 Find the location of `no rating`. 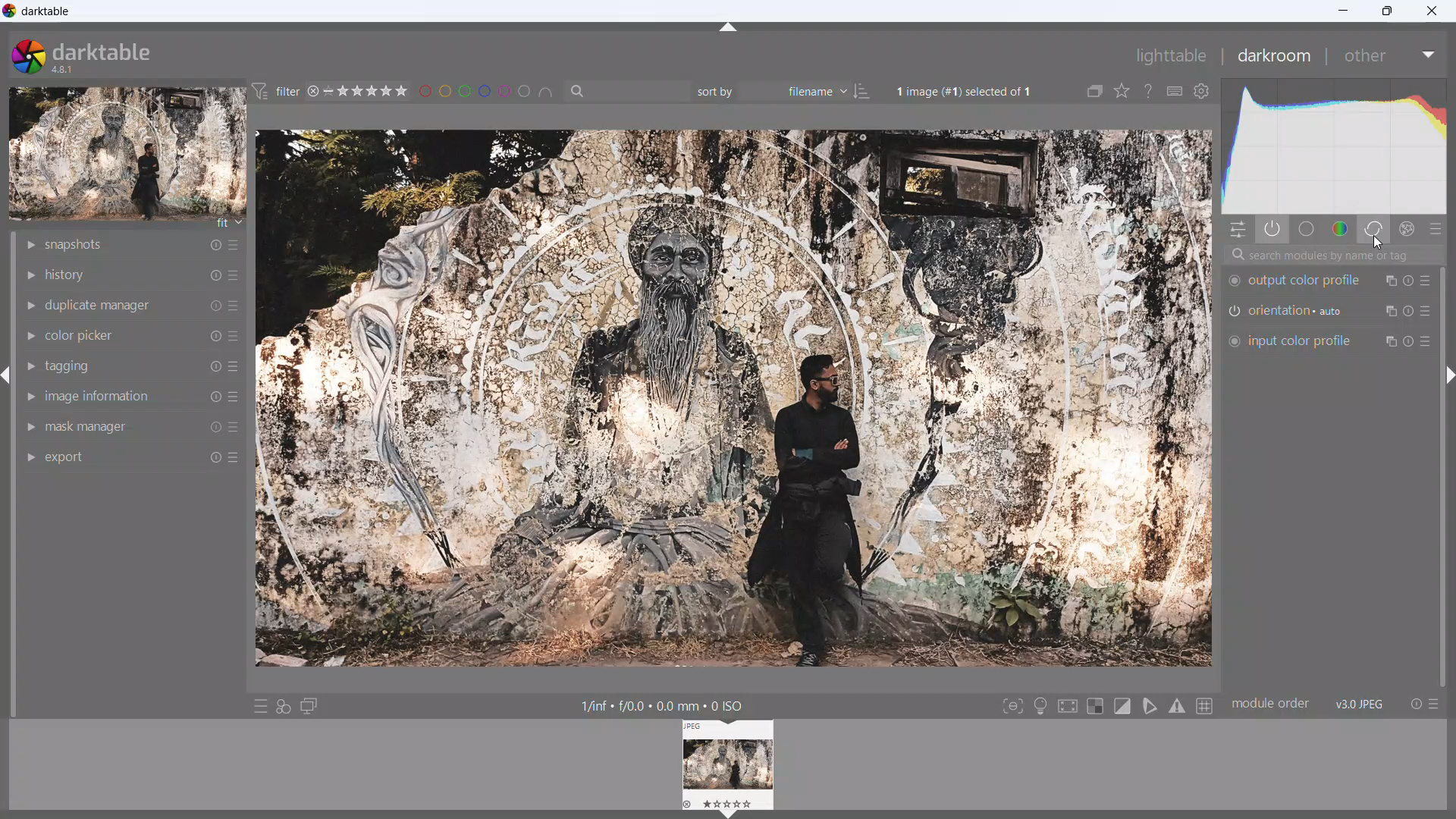

no rating is located at coordinates (332, 93).